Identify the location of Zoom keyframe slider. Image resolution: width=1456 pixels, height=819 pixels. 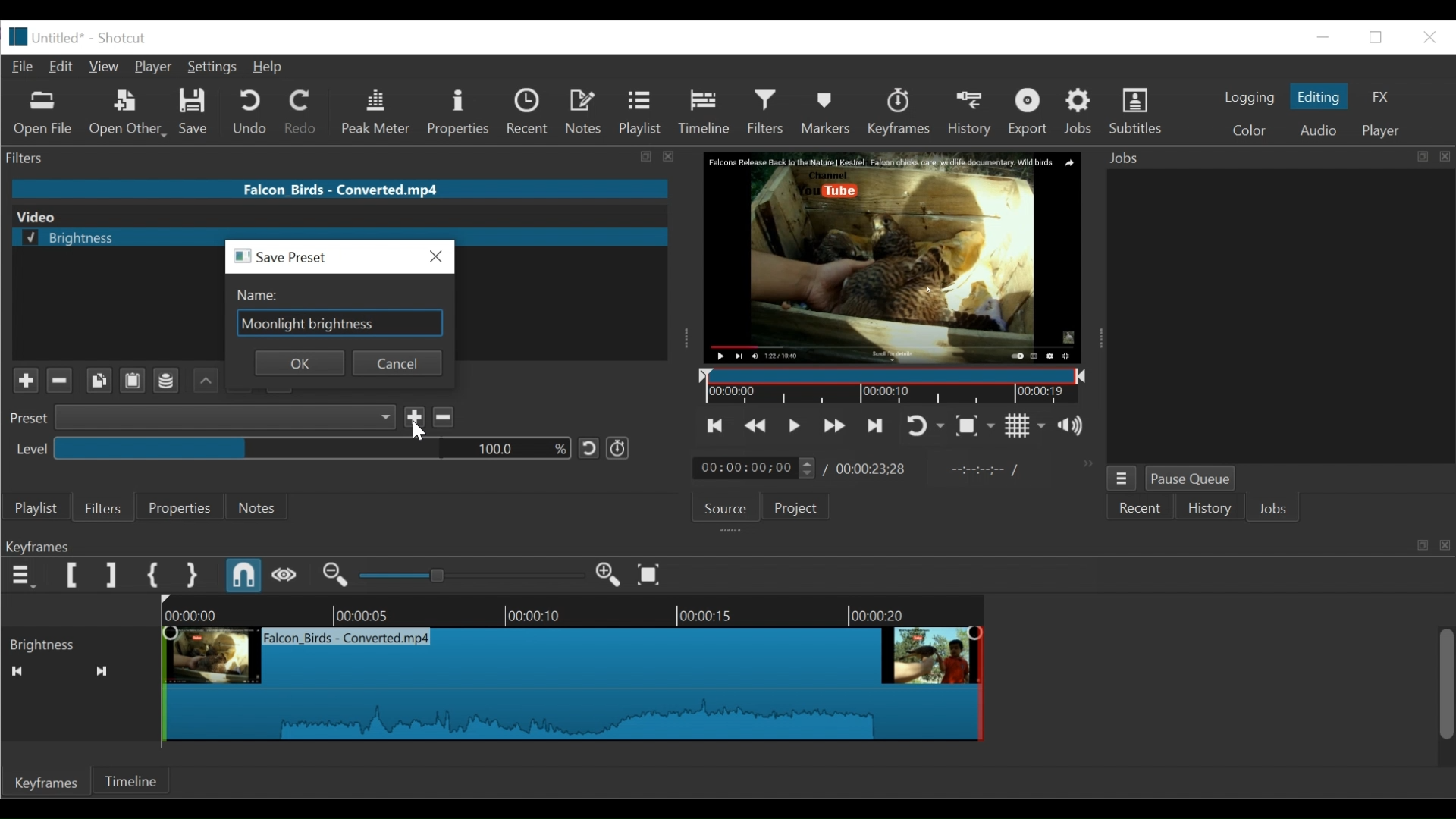
(472, 576).